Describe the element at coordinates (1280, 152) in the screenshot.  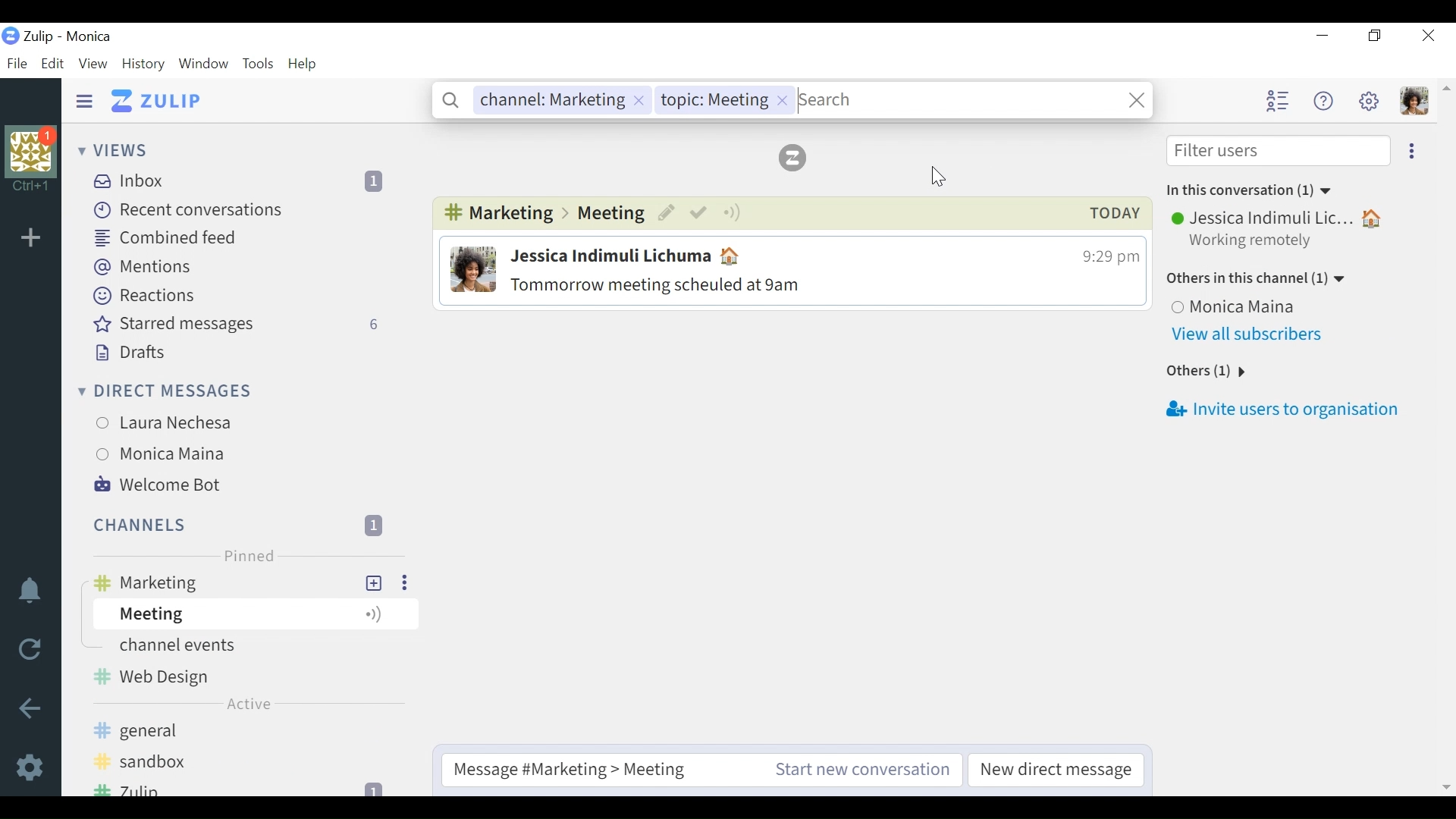
I see `Filter users` at that location.